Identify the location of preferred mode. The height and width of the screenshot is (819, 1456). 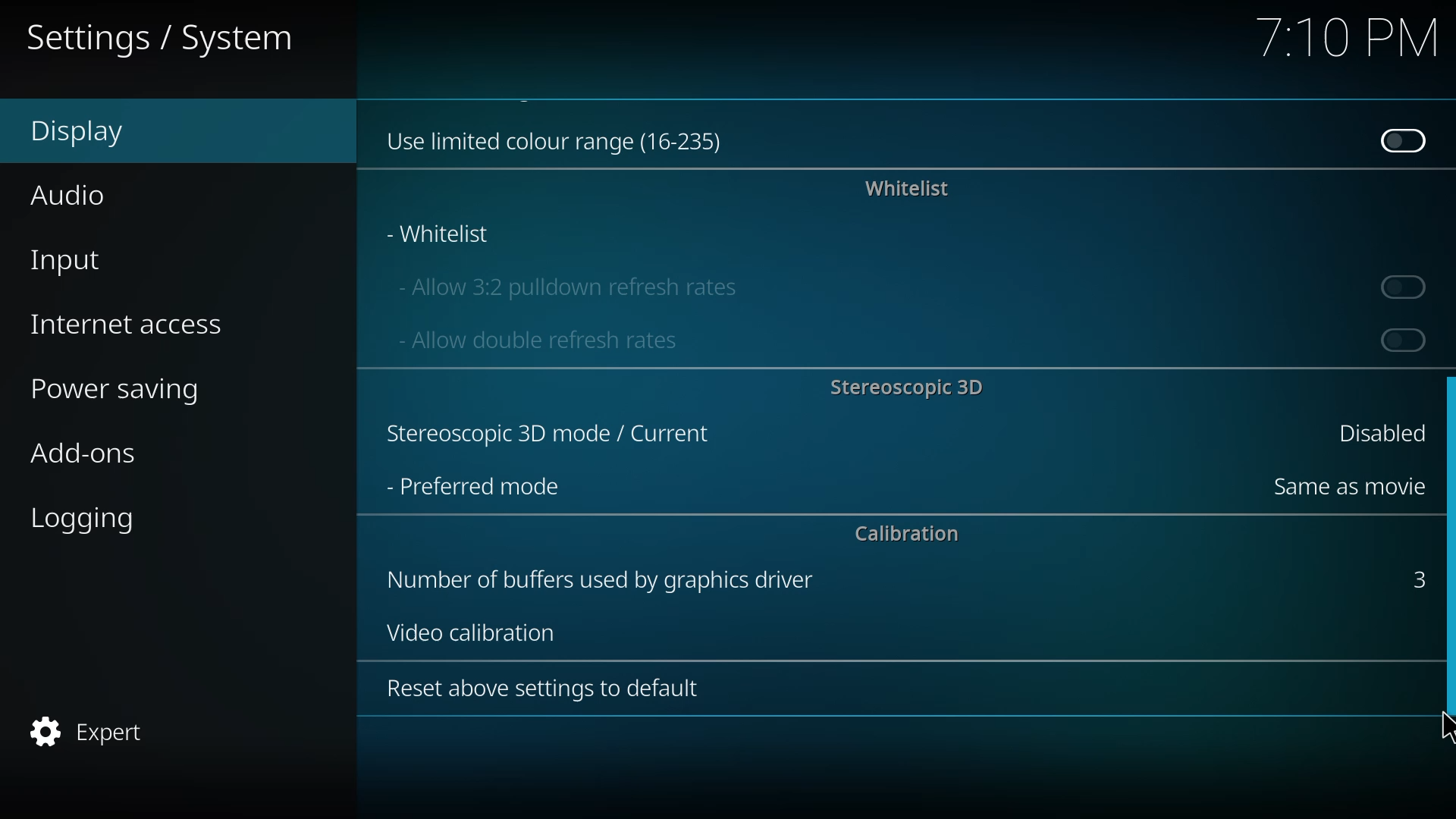
(473, 486).